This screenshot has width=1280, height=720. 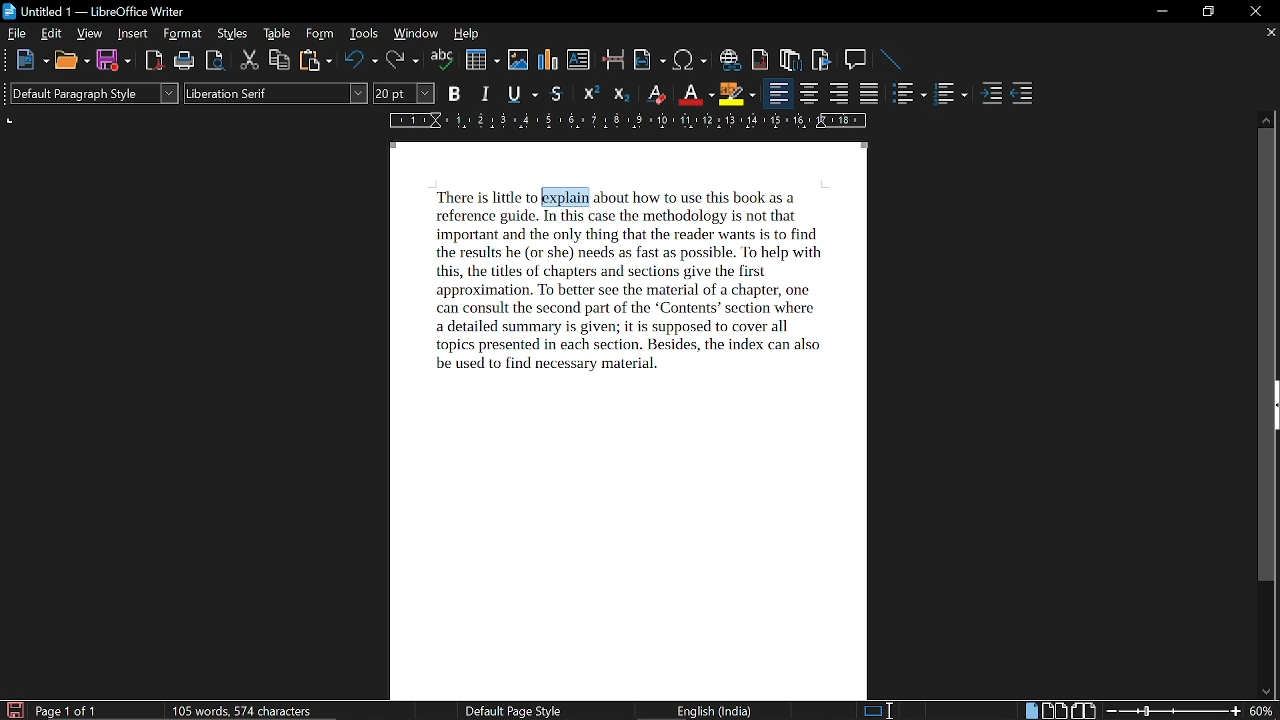 I want to click on toggle ordered list, so click(x=910, y=94).